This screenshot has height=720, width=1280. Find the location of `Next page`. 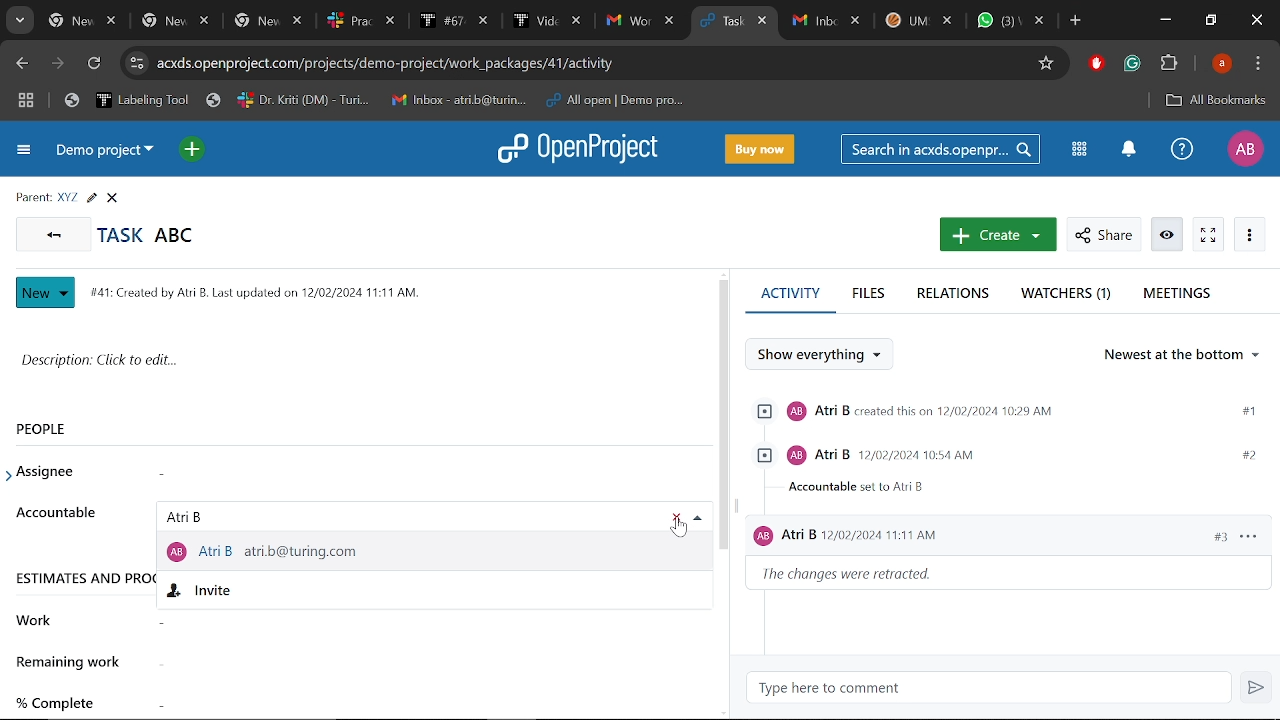

Next page is located at coordinates (58, 65).